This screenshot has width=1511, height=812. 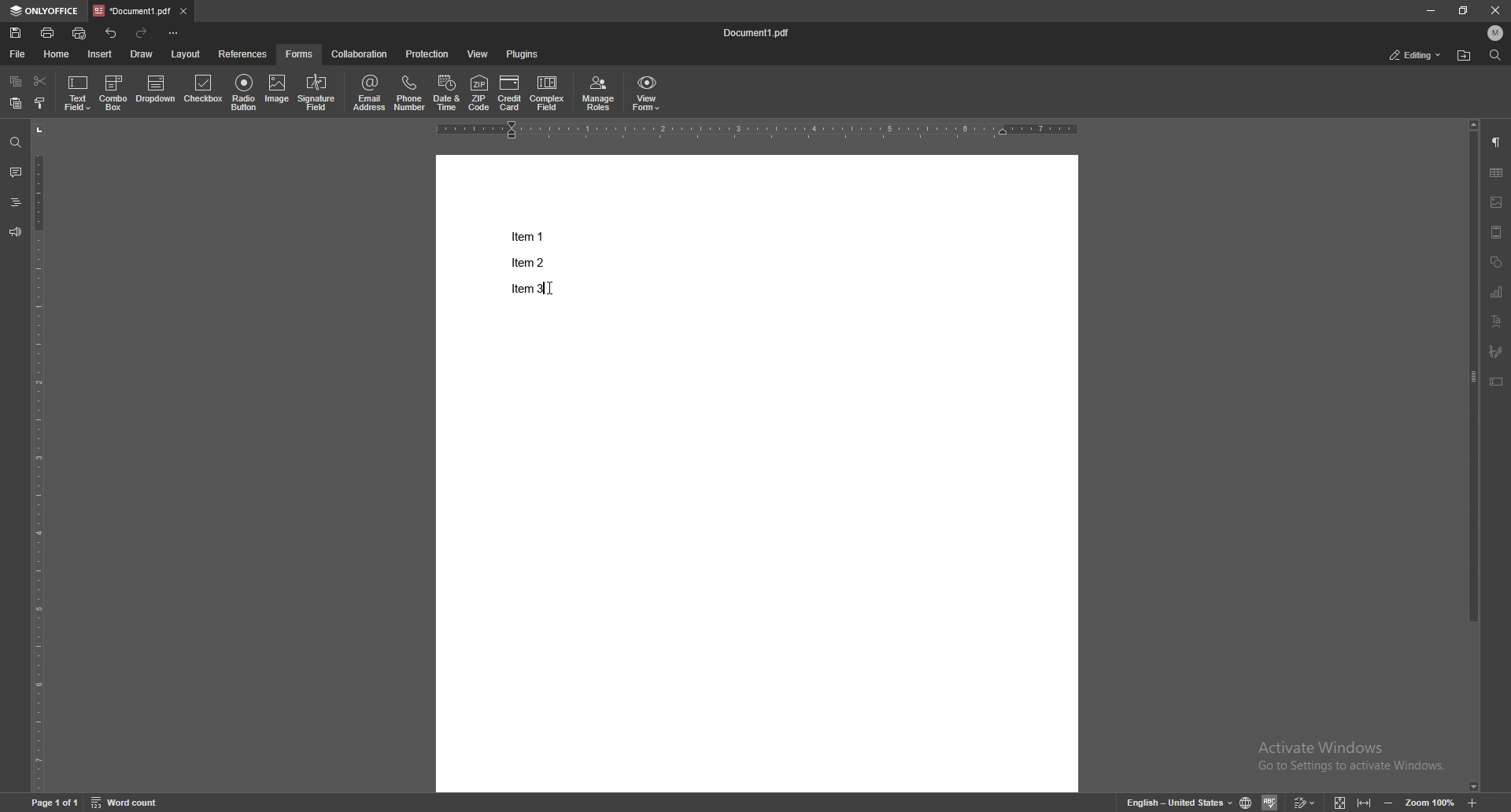 I want to click on fit to width, so click(x=1362, y=800).